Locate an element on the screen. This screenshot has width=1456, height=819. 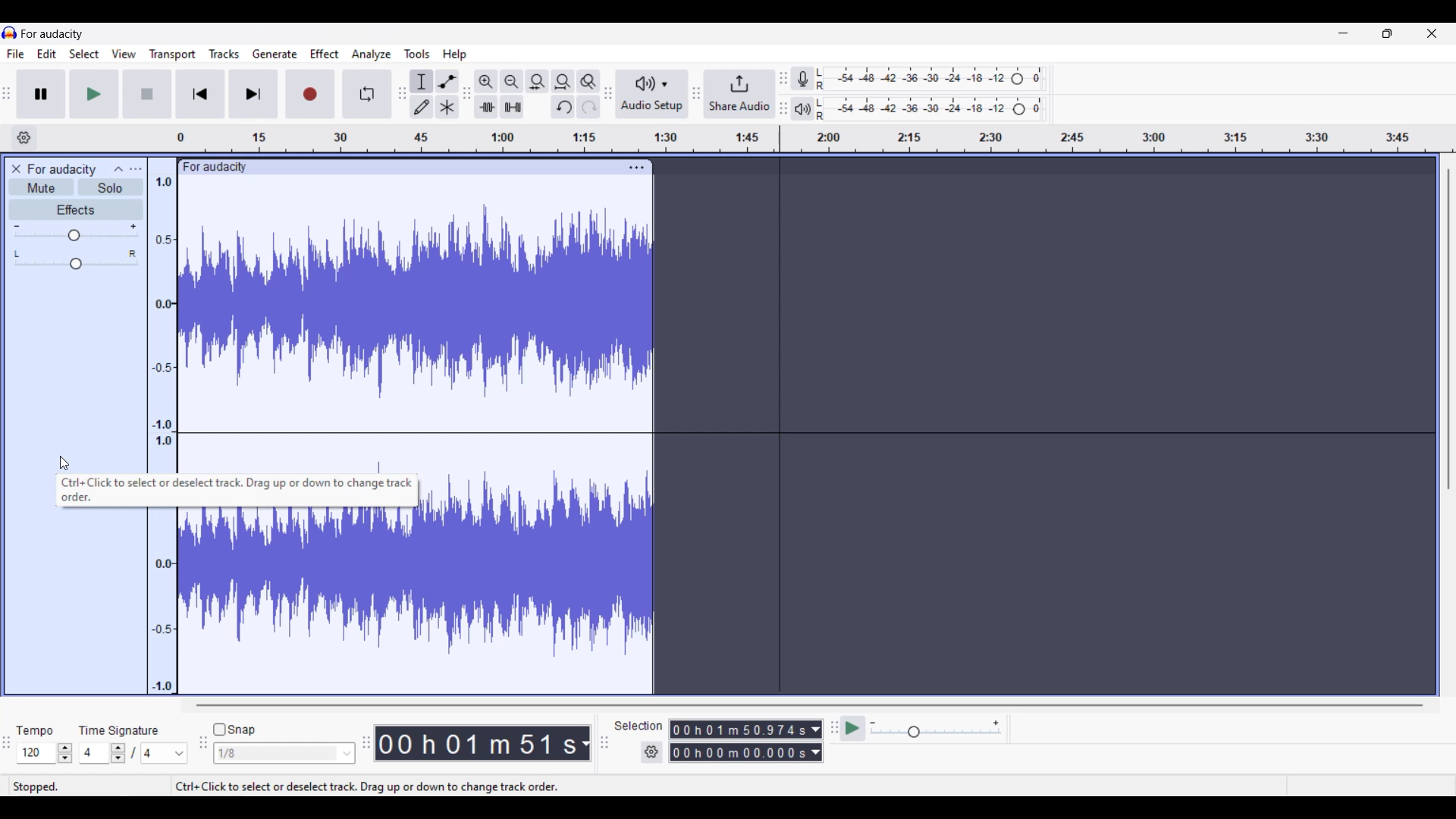
for audacity is located at coordinates (54, 34).